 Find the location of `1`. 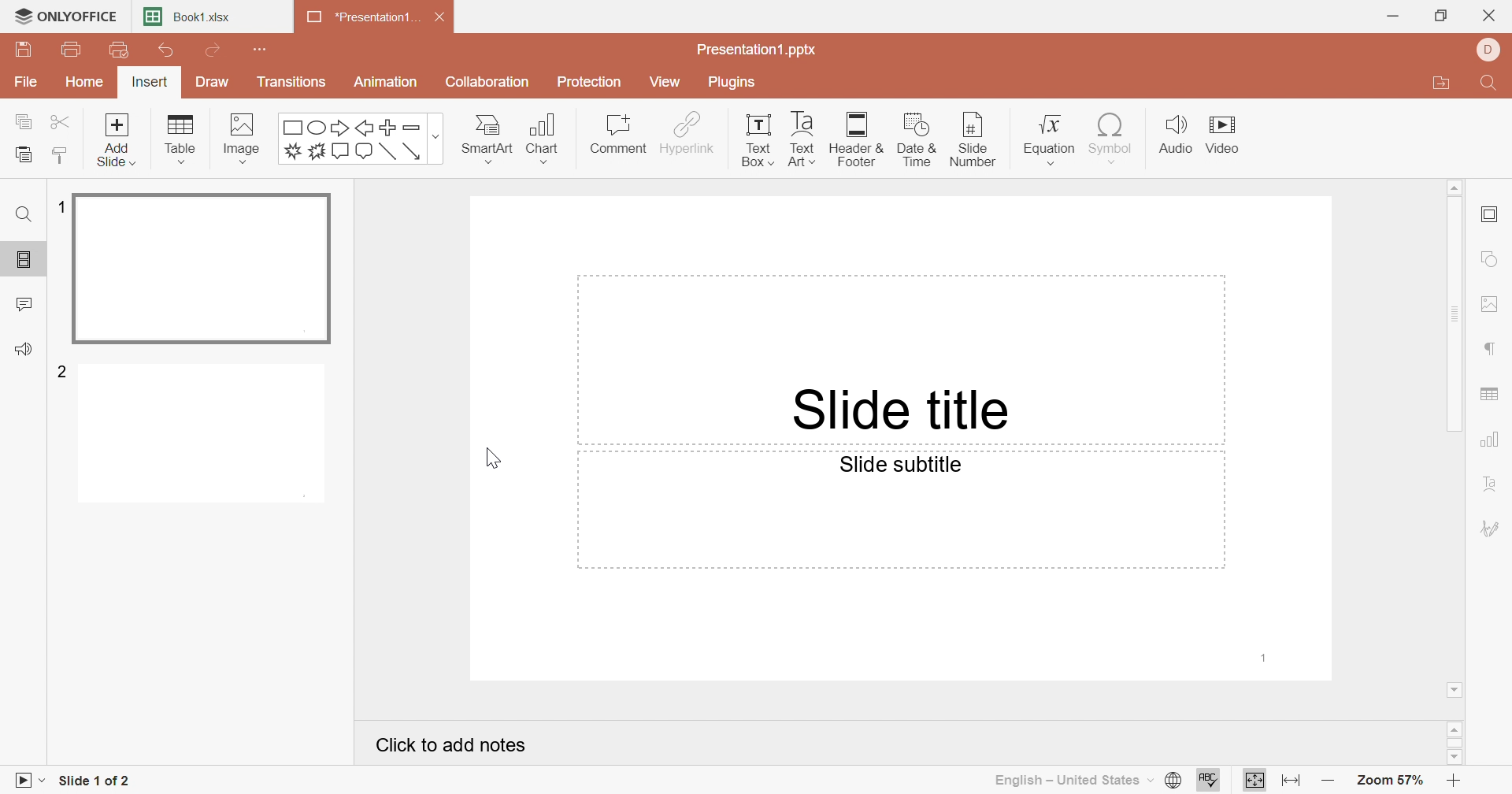

1 is located at coordinates (1266, 657).